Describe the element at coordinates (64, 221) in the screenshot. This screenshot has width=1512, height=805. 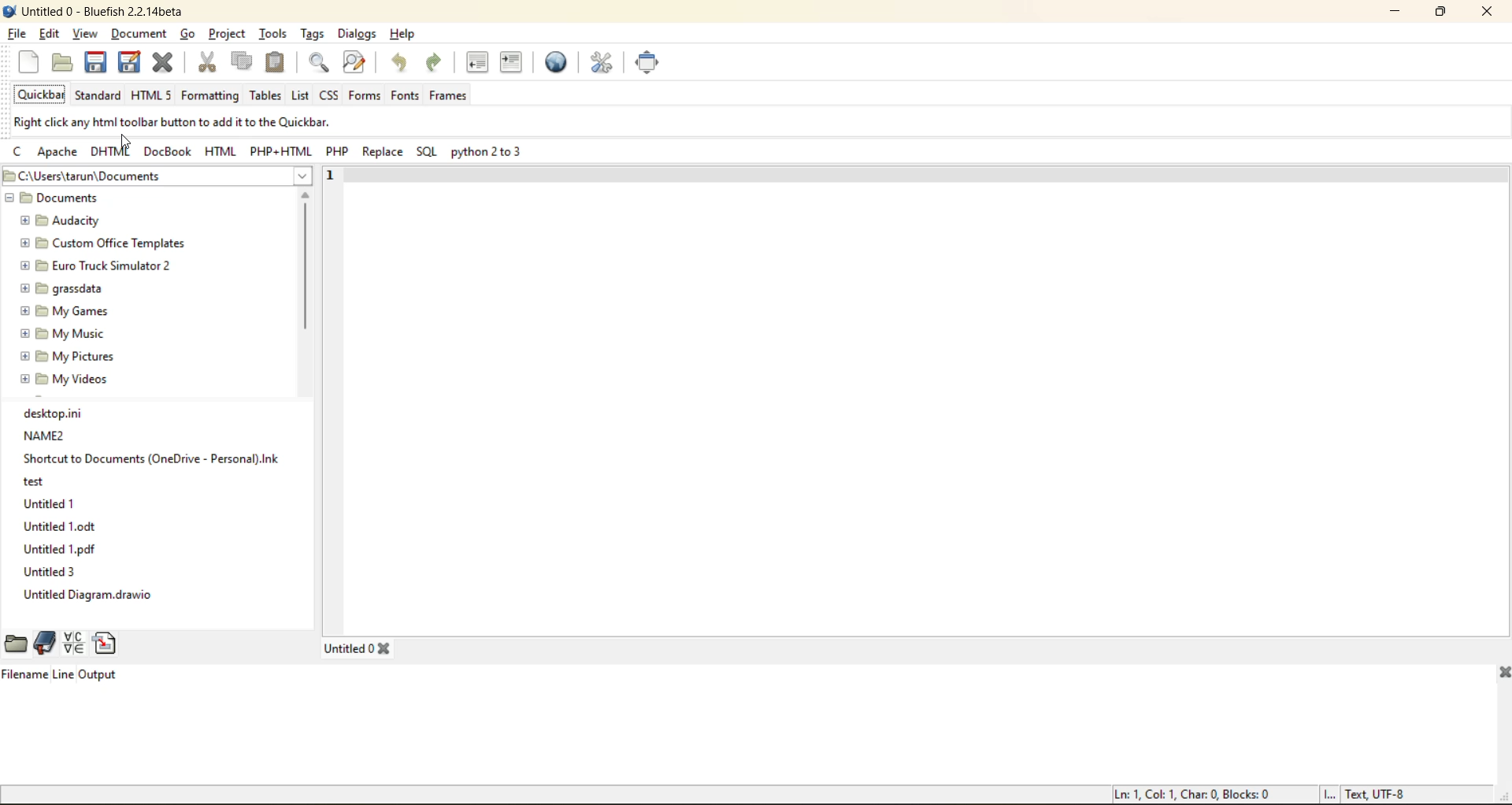
I see `Audacity` at that location.